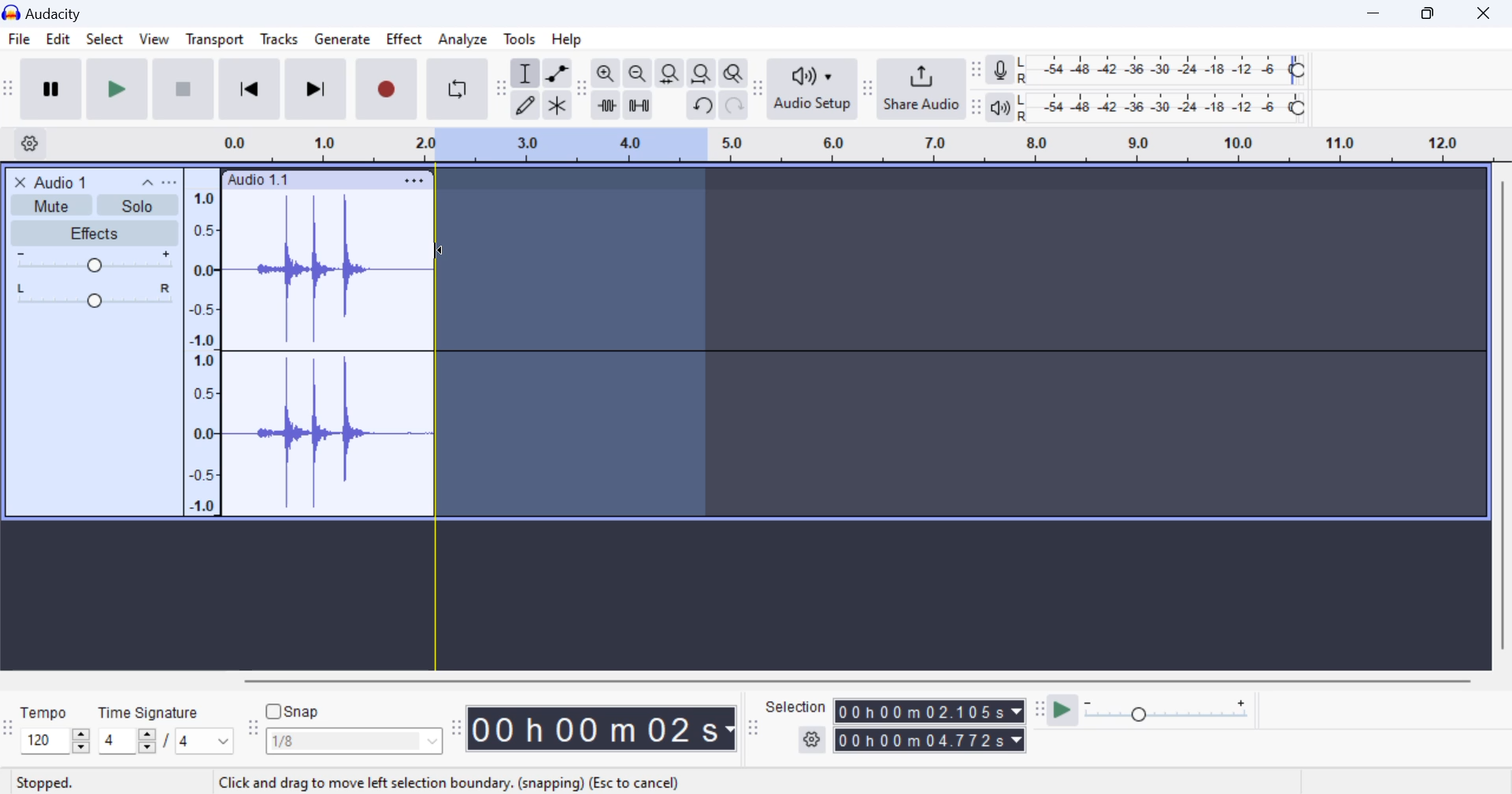 The width and height of the screenshot is (1512, 794). Describe the element at coordinates (313, 92) in the screenshot. I see `Skip To End` at that location.